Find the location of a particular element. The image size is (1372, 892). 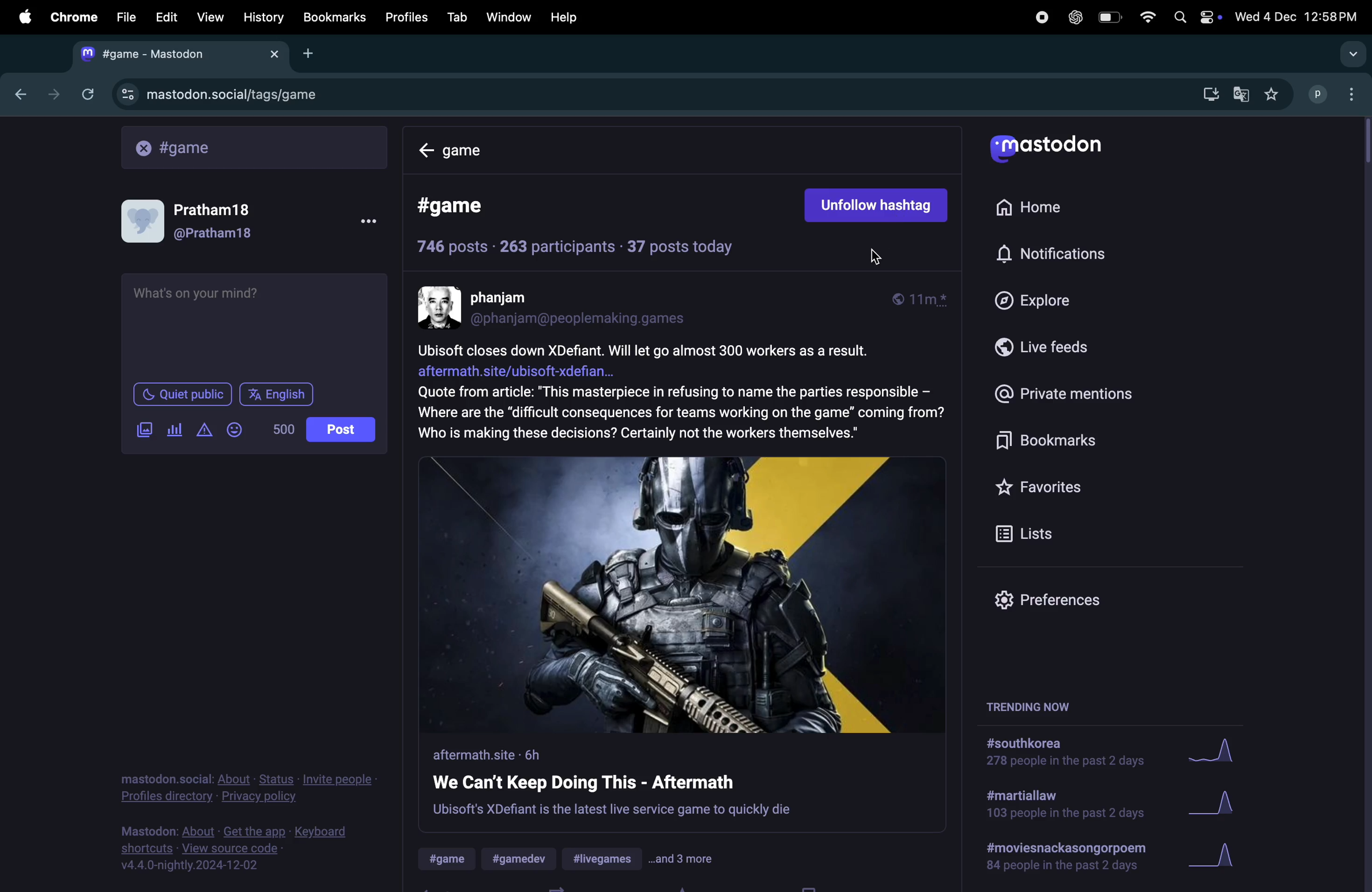

mastodon is located at coordinates (1048, 148).